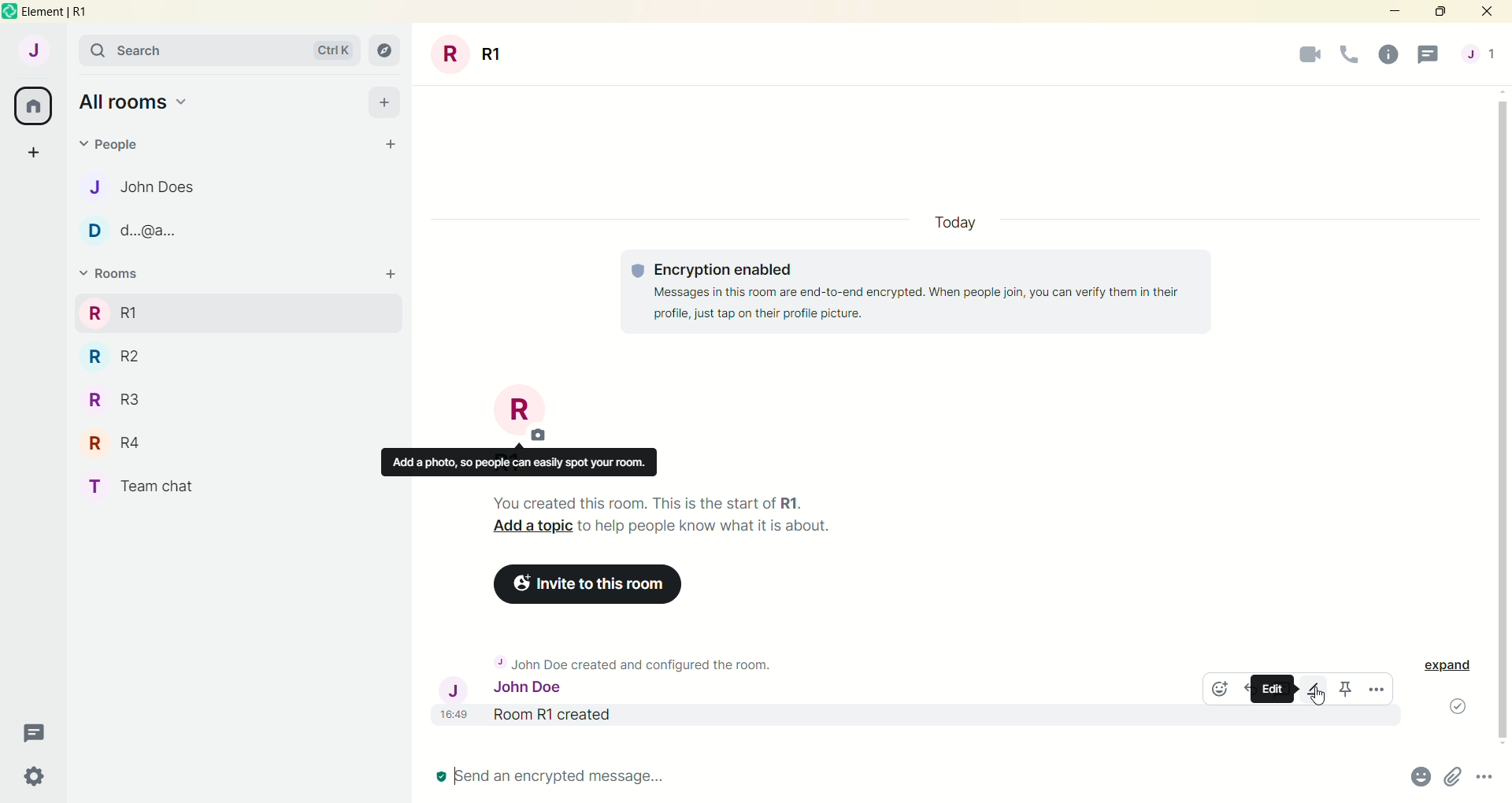  Describe the element at coordinates (1350, 55) in the screenshot. I see `voice call` at that location.